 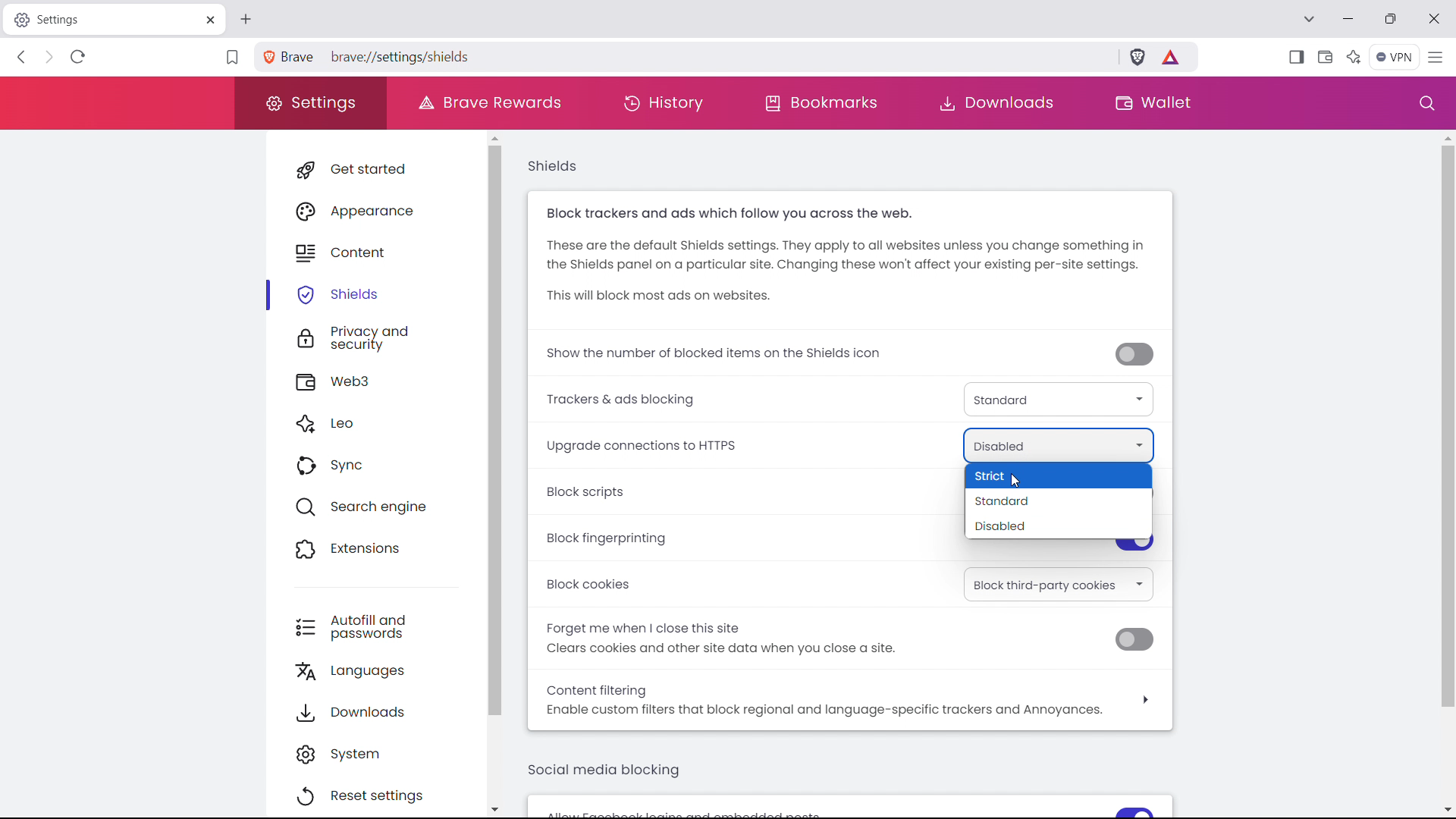 I want to click on scroll down, so click(x=1445, y=806).